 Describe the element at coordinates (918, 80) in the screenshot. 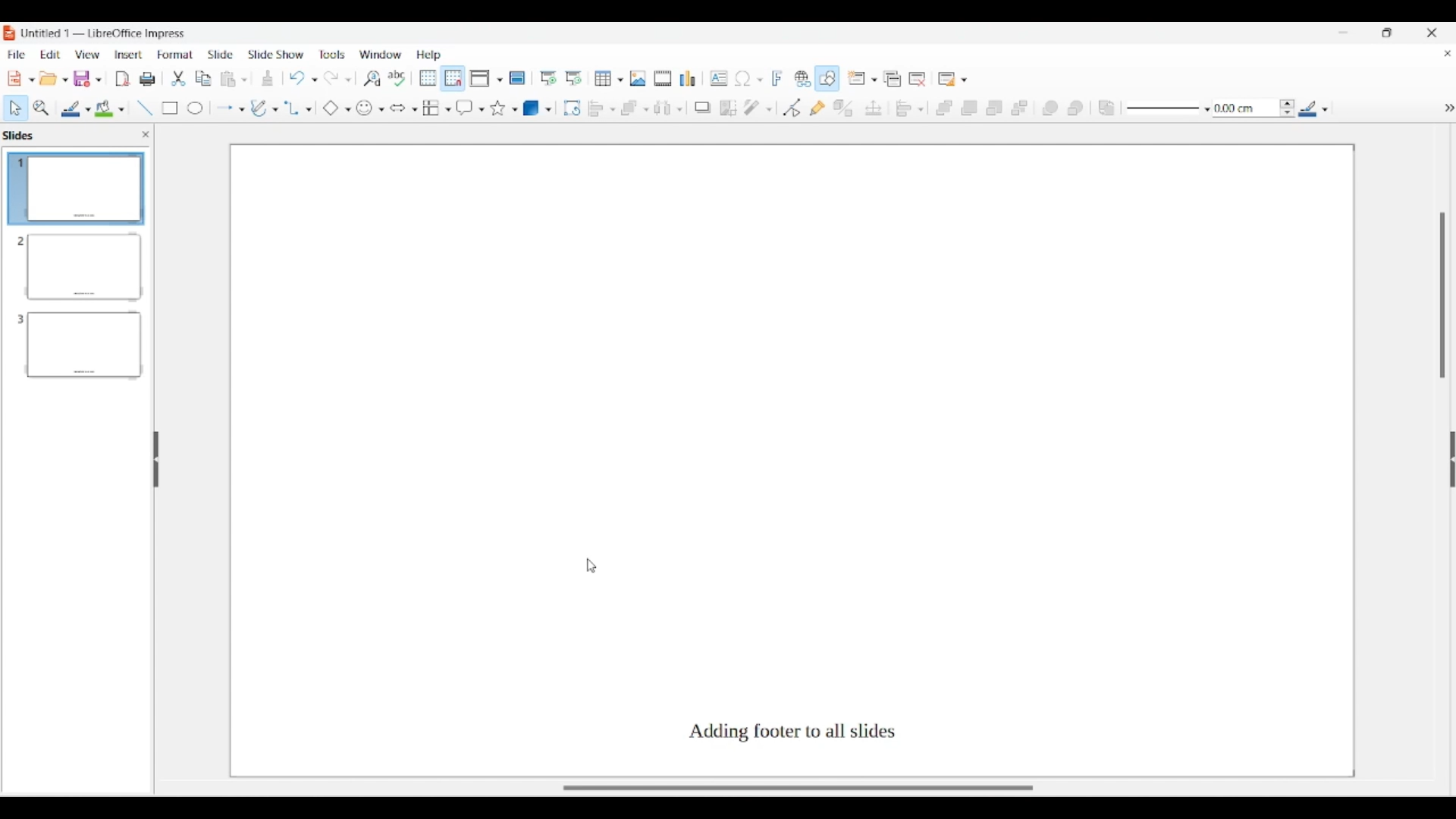

I see `Delete slide` at that location.